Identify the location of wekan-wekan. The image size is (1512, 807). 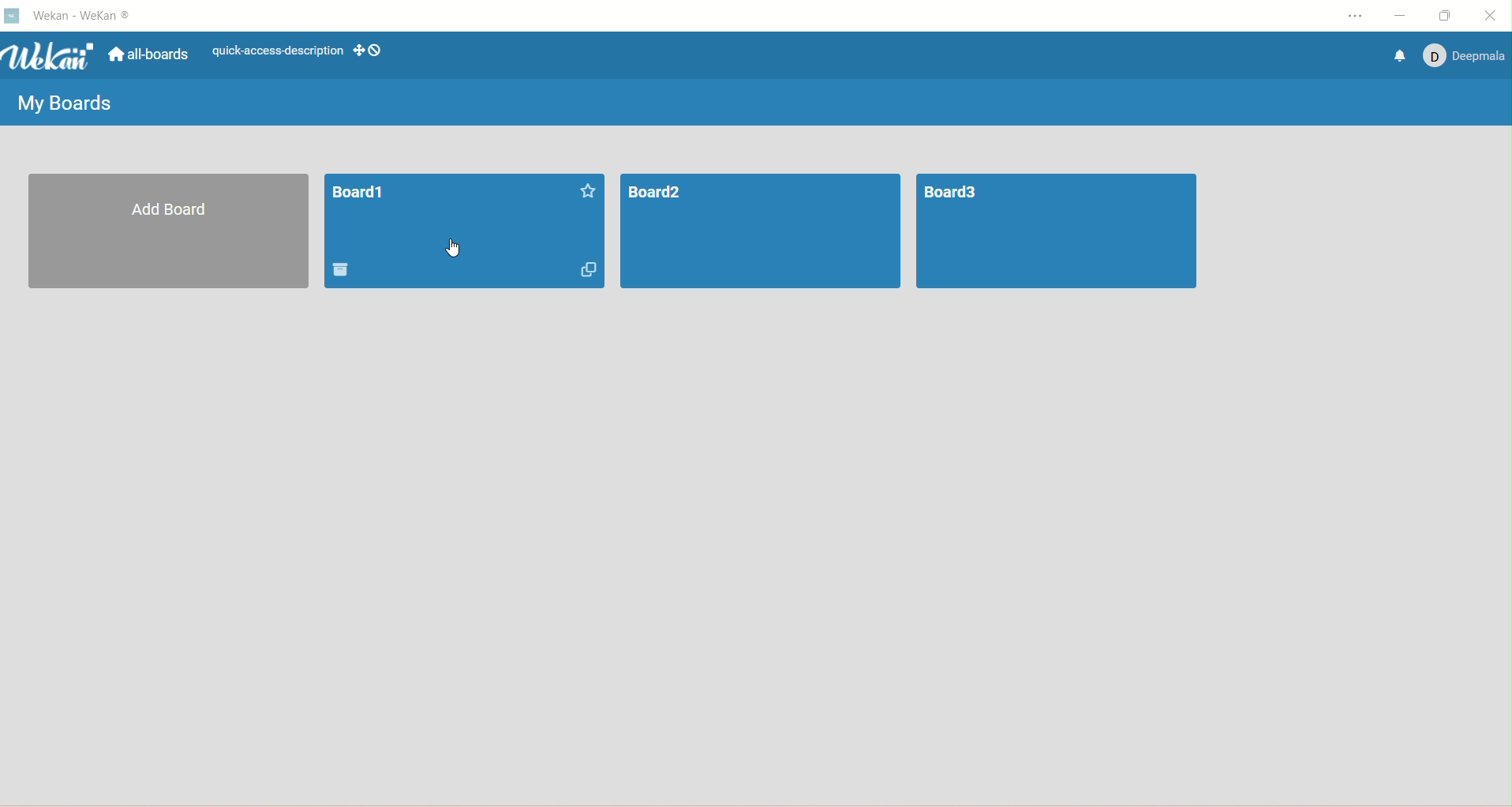
(88, 17).